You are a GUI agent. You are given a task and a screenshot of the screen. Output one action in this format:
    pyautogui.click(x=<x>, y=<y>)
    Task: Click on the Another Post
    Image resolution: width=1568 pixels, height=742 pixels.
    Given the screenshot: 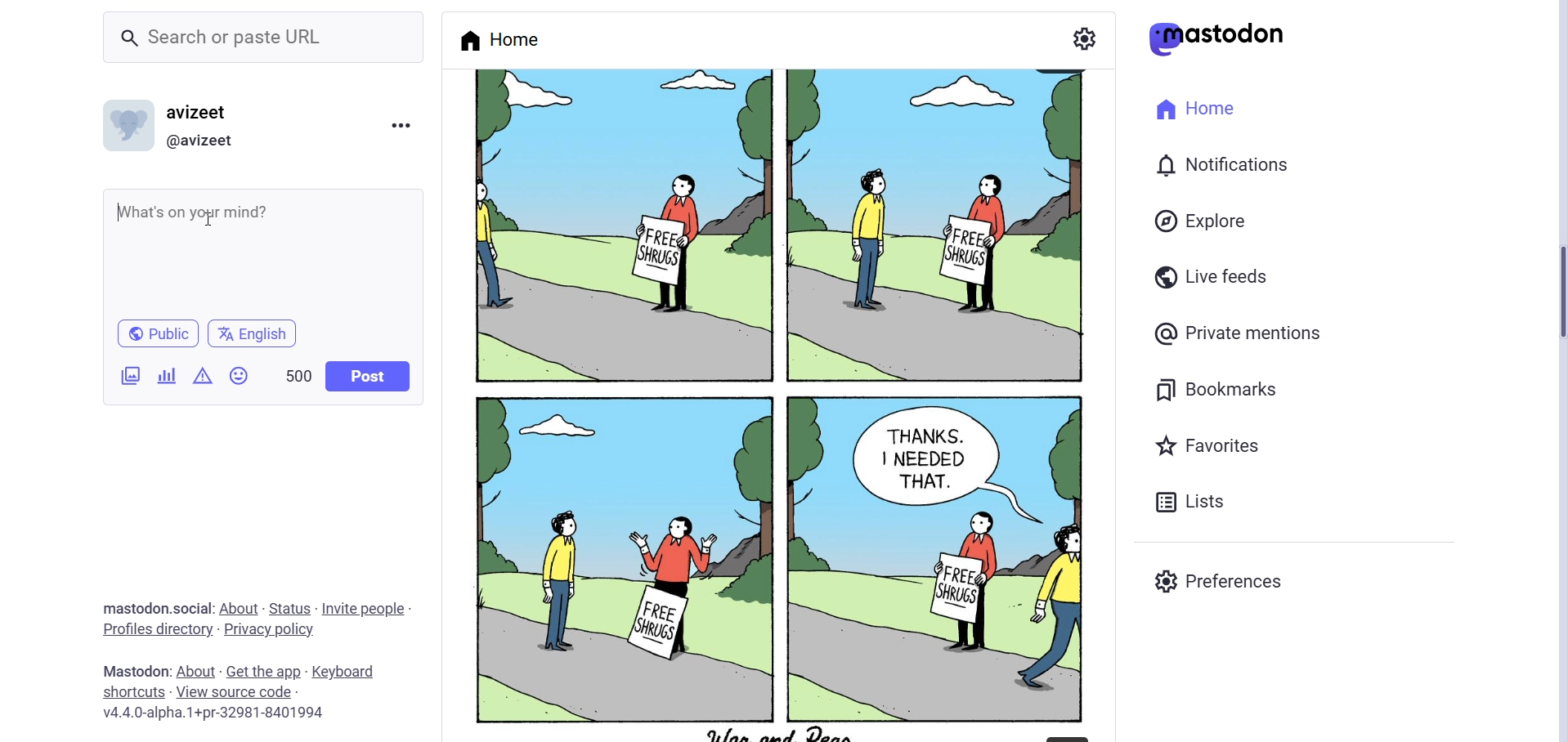 What is the action you would take?
    pyautogui.click(x=774, y=402)
    